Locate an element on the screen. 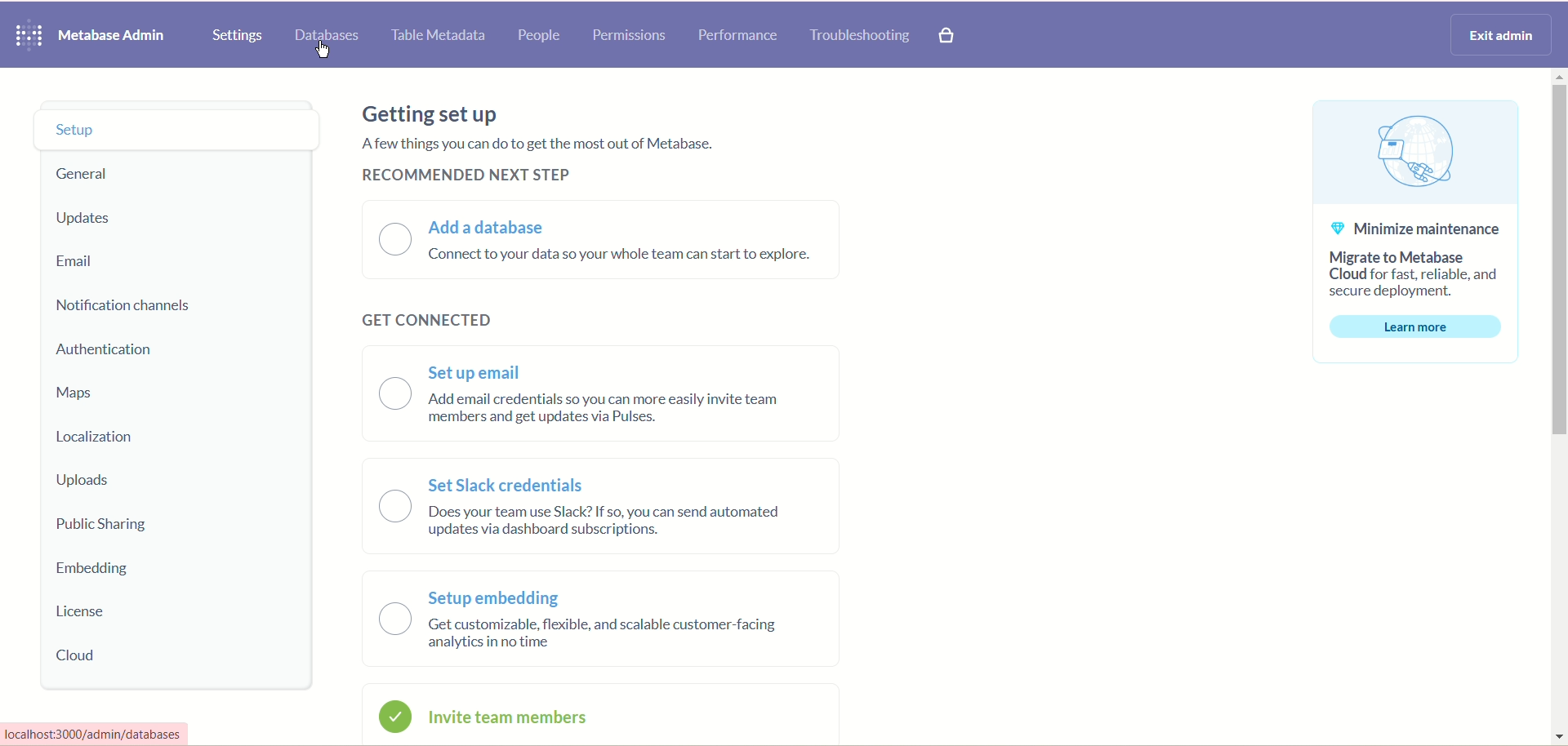 The image size is (1568, 746). performance is located at coordinates (737, 36).